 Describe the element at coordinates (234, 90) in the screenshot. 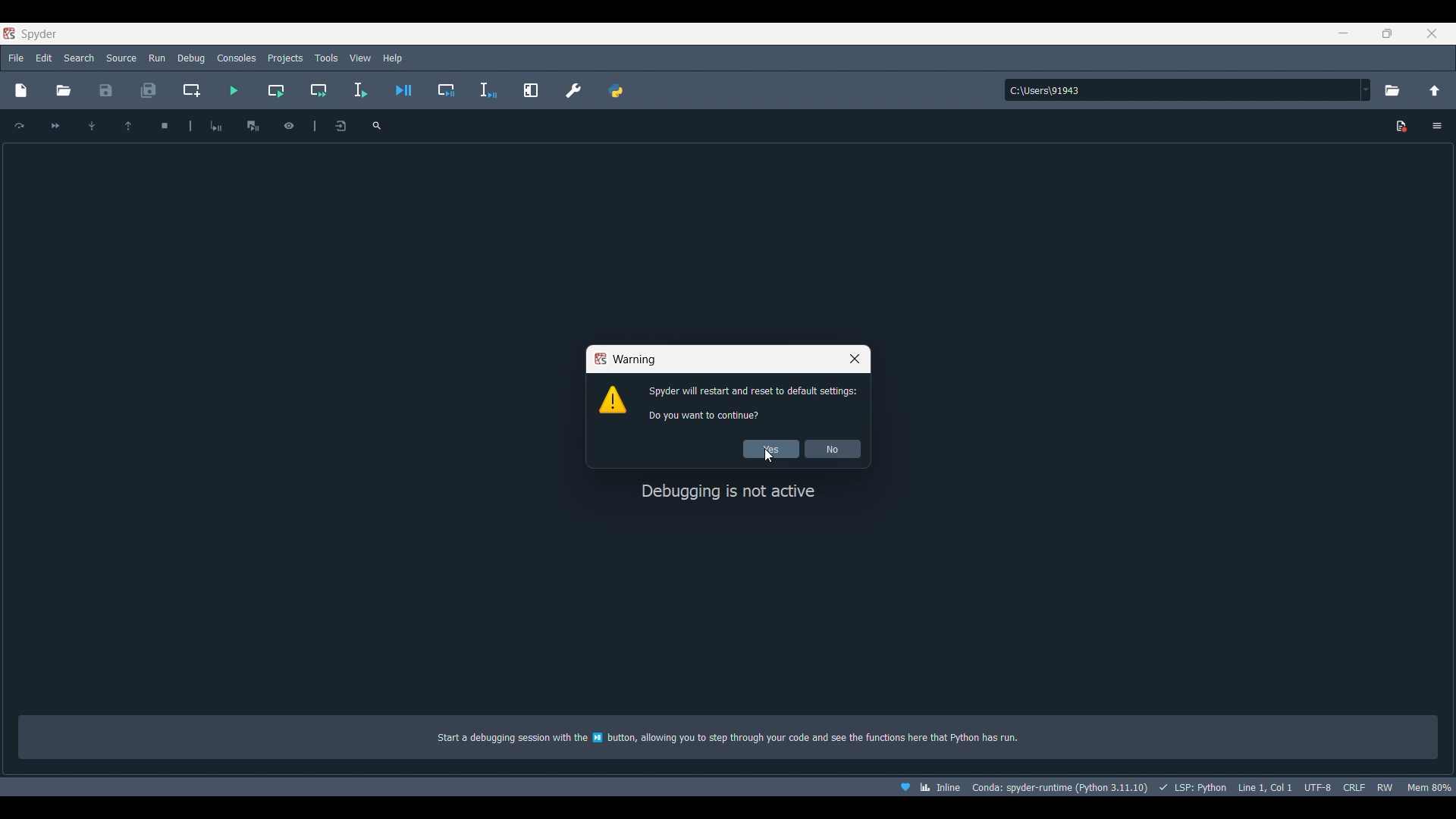

I see `Run file` at that location.